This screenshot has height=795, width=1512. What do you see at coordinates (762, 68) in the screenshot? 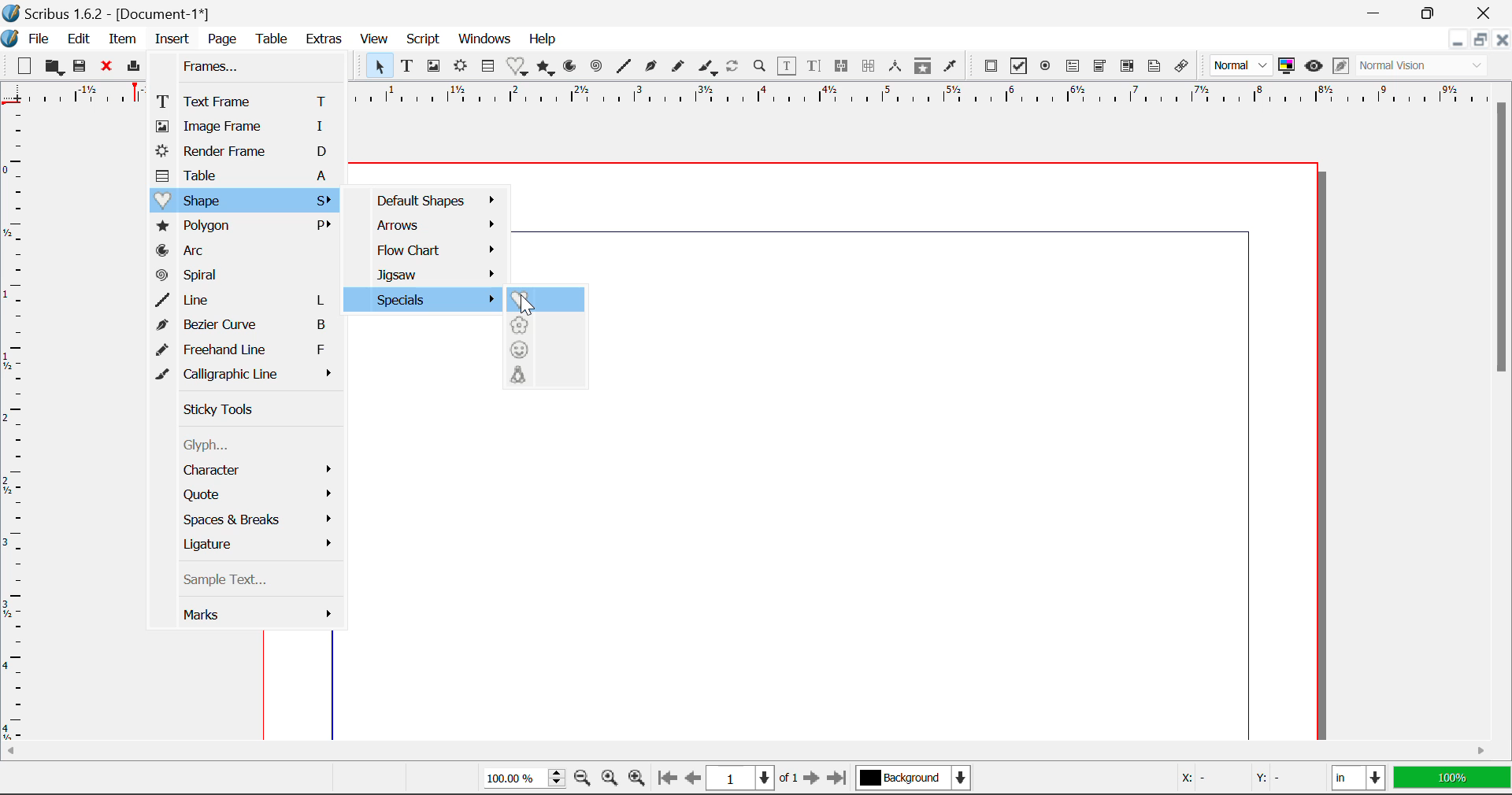
I see `Zoom` at bounding box center [762, 68].